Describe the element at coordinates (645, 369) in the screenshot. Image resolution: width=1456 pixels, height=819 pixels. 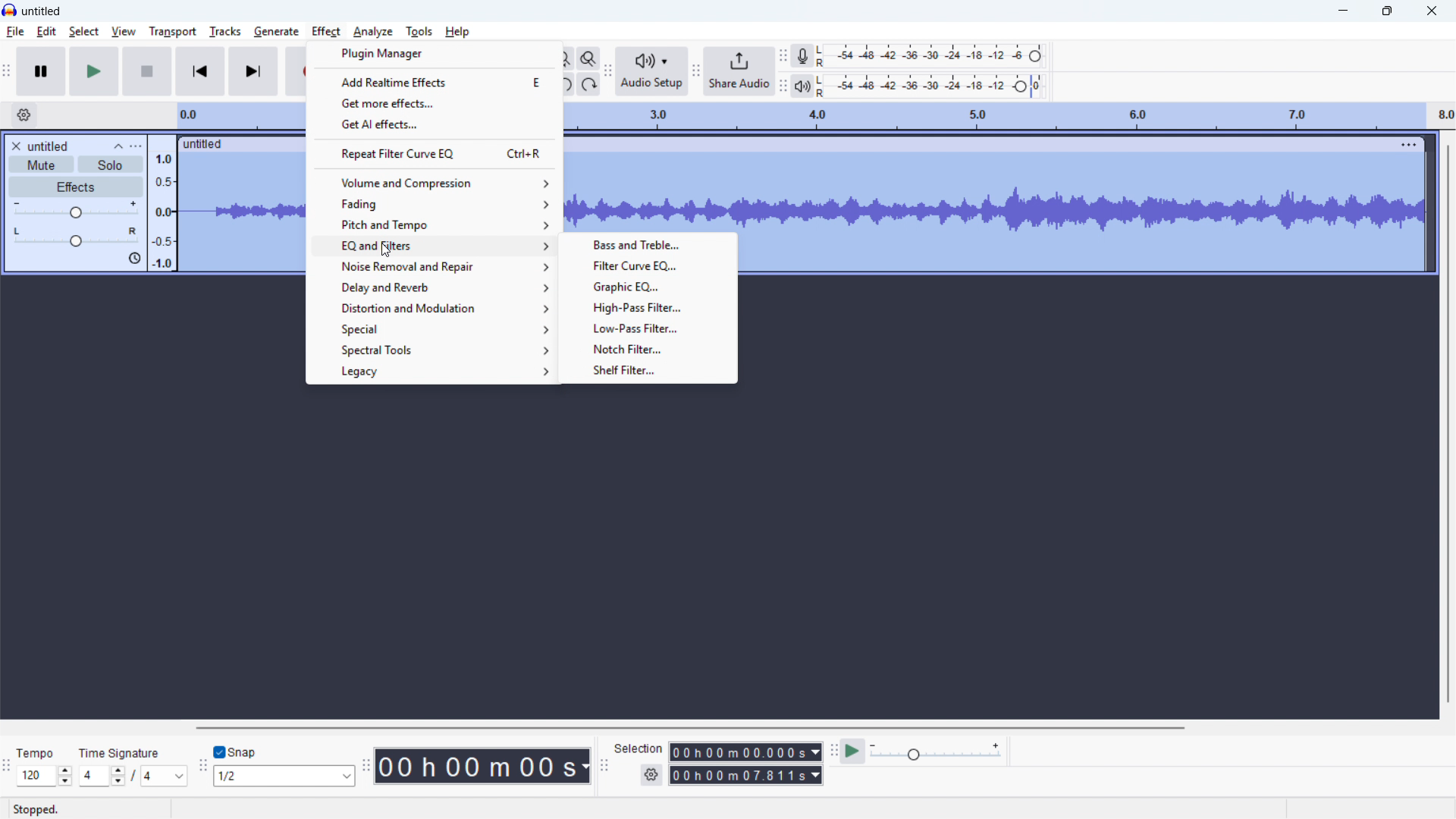
I see `Shelf filter` at that location.